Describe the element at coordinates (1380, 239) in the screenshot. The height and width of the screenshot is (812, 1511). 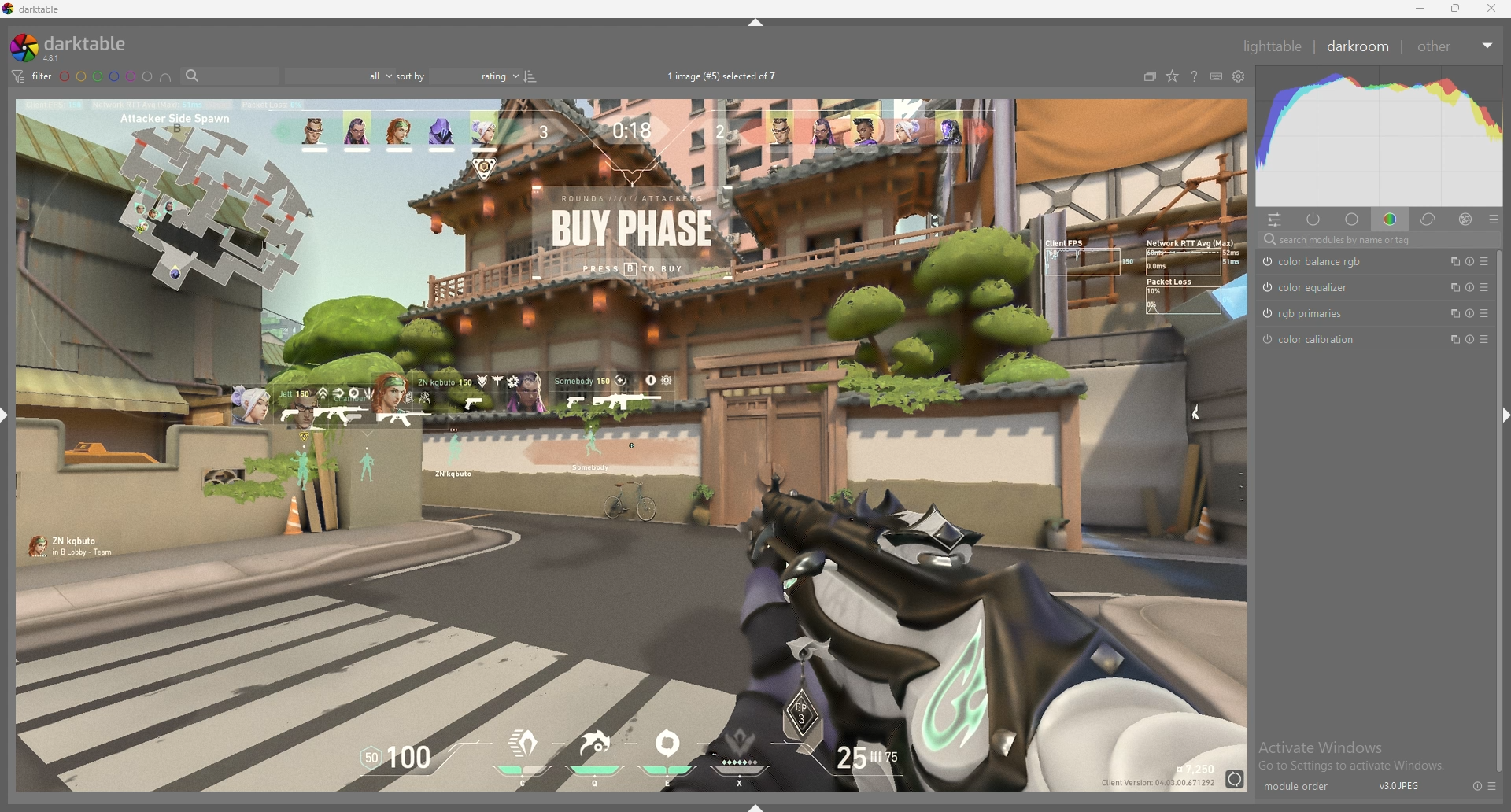
I see `search module` at that location.